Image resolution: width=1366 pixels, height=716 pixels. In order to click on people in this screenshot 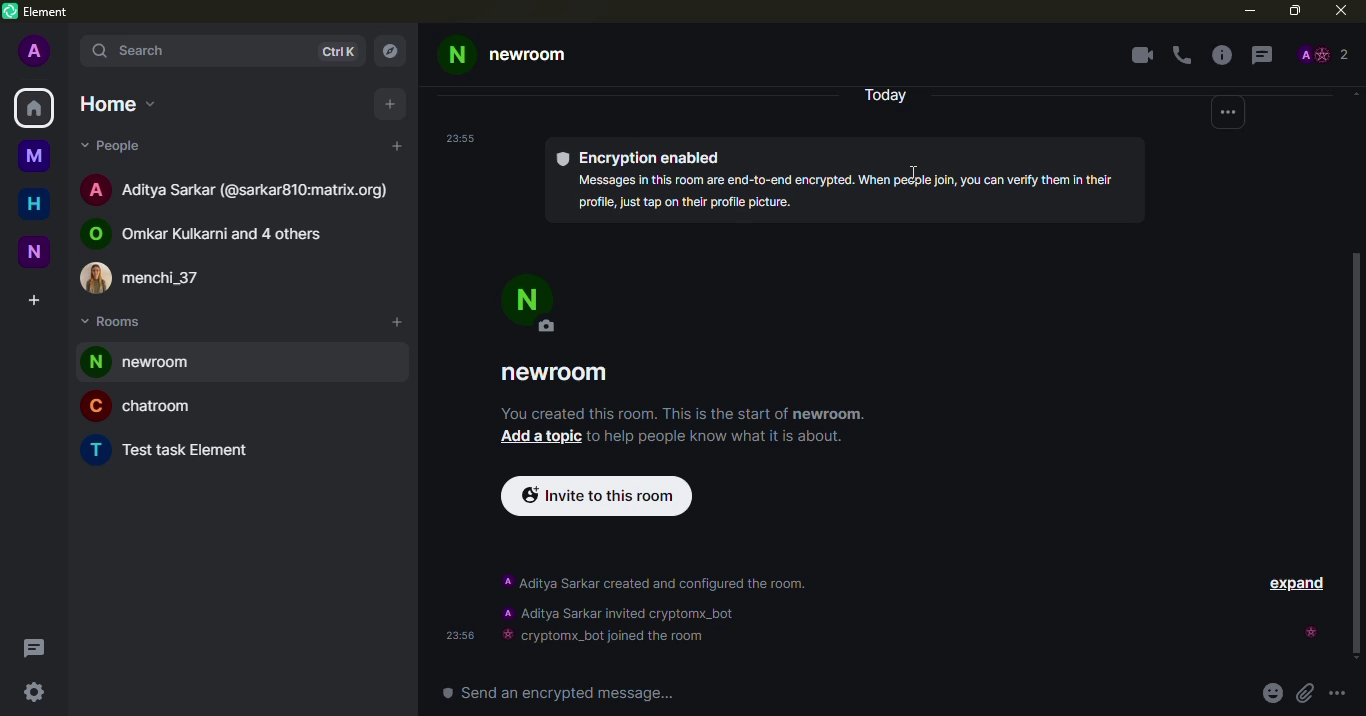, I will do `click(1325, 52)`.